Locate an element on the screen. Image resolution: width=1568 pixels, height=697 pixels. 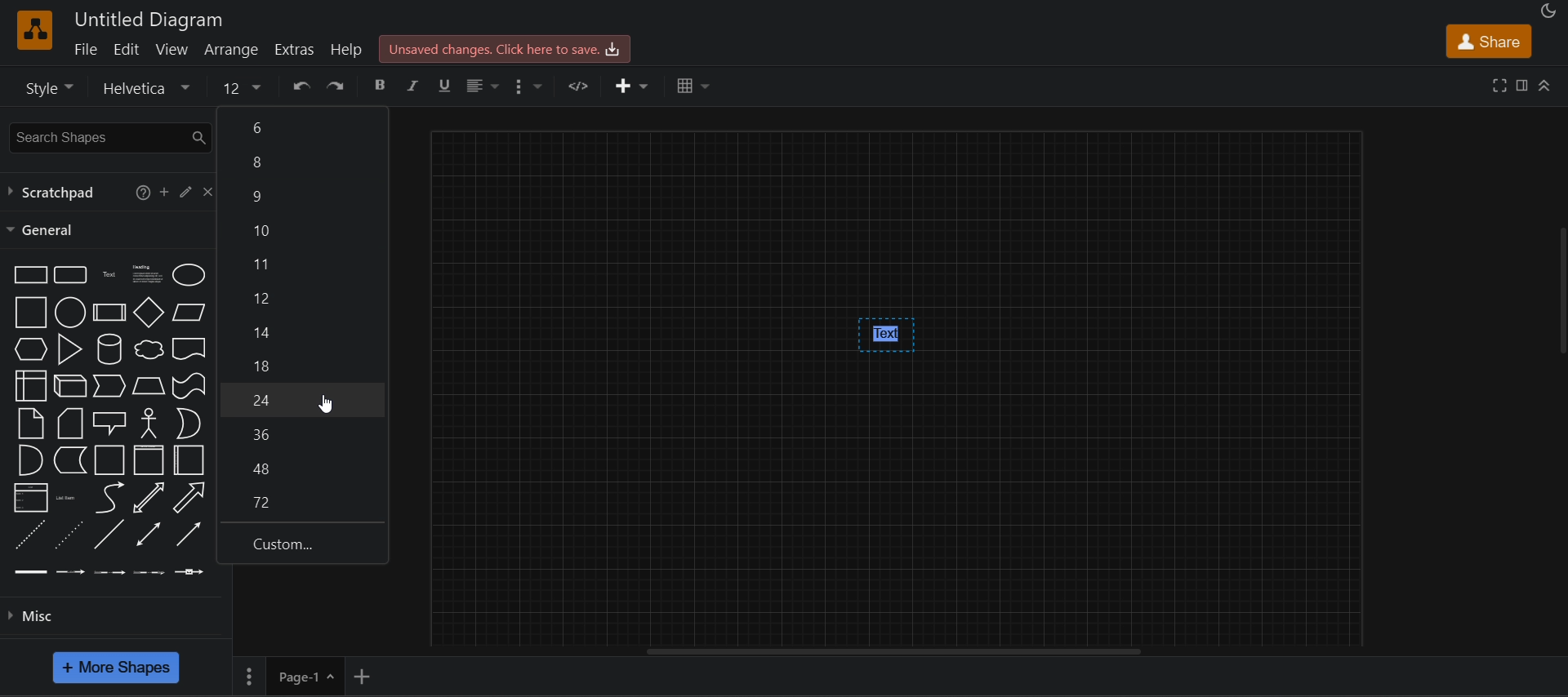
Actor is located at coordinates (149, 423).